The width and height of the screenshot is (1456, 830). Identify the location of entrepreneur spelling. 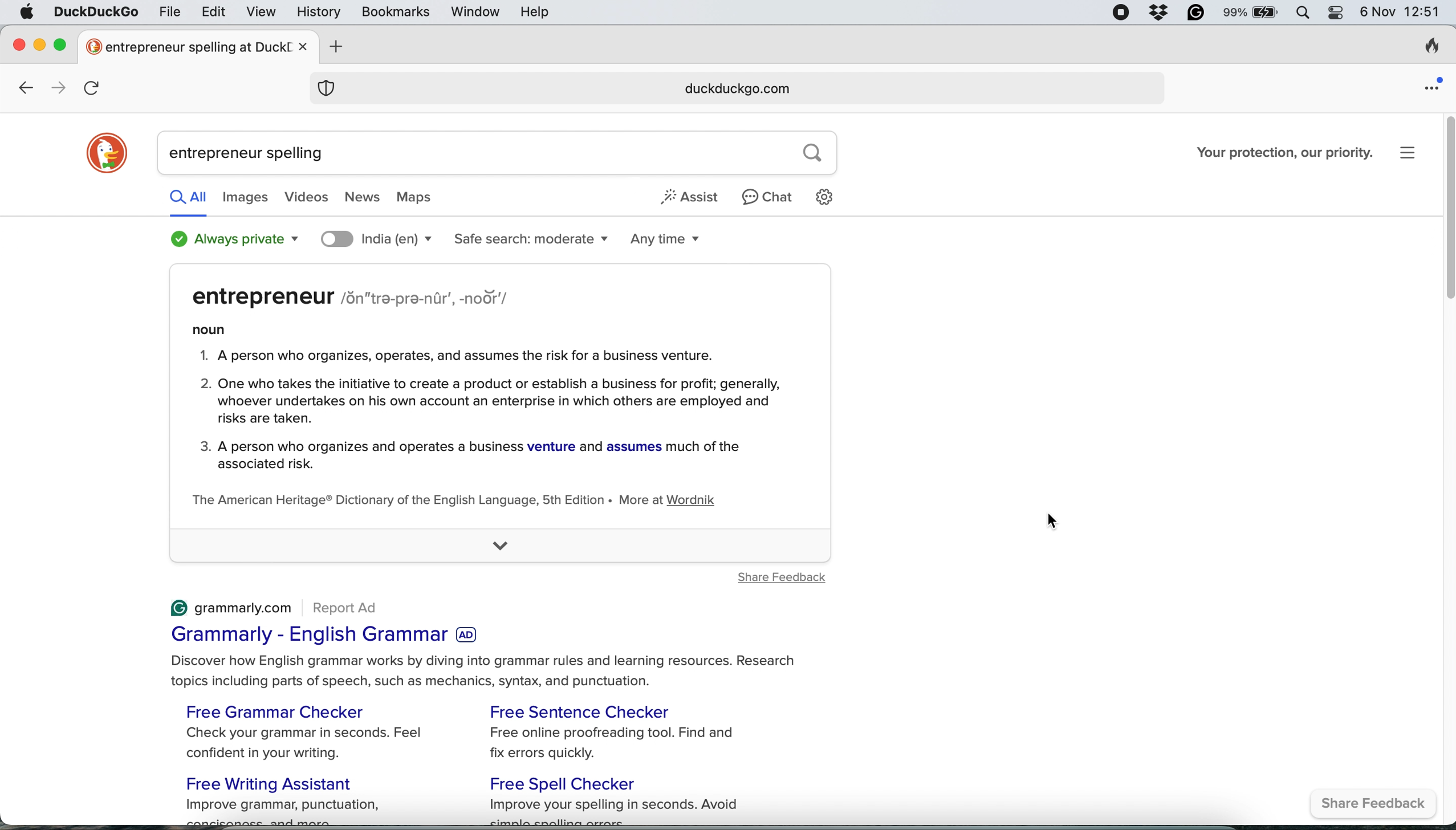
(247, 152).